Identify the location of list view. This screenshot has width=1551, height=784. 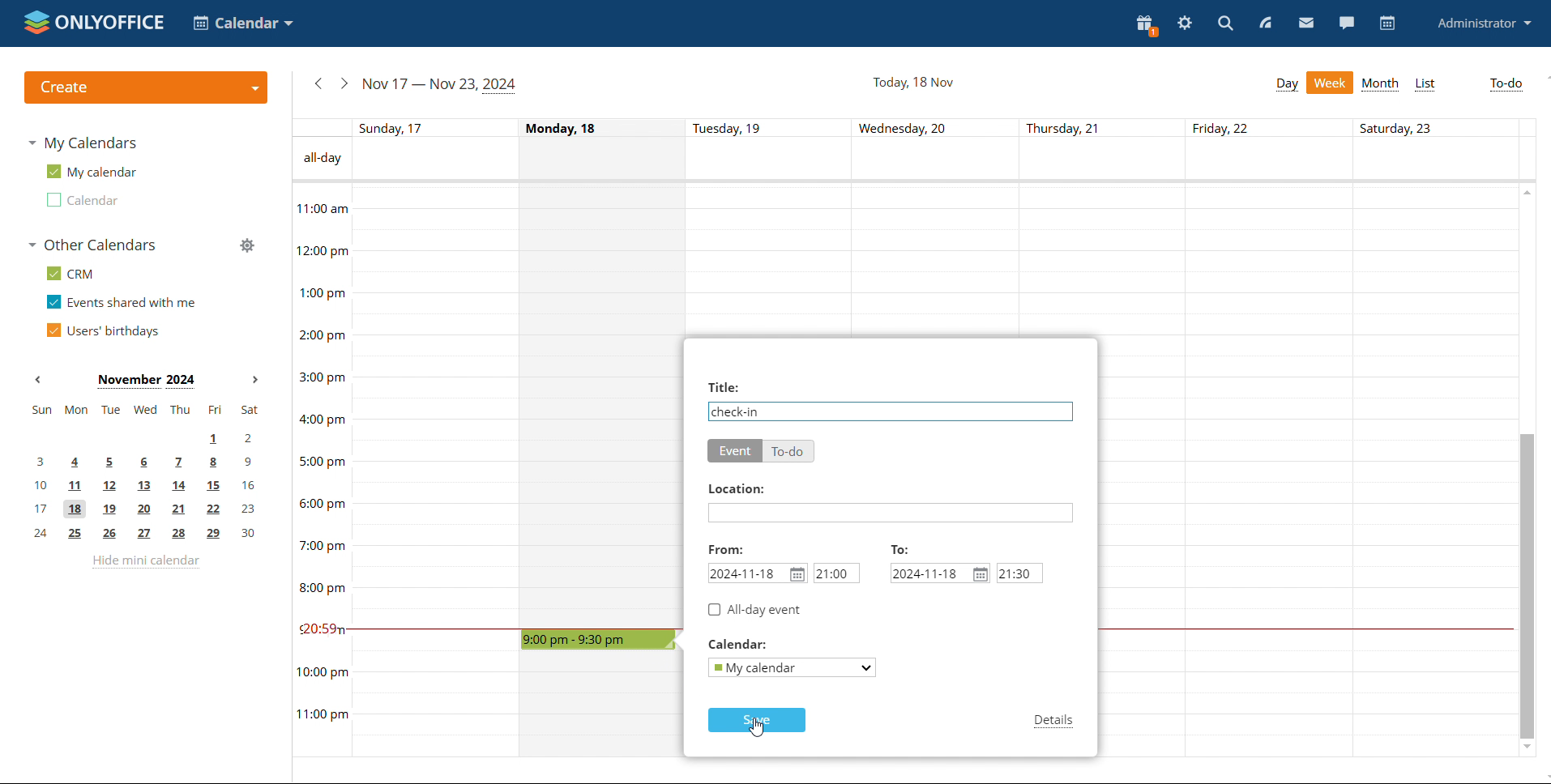
(1425, 84).